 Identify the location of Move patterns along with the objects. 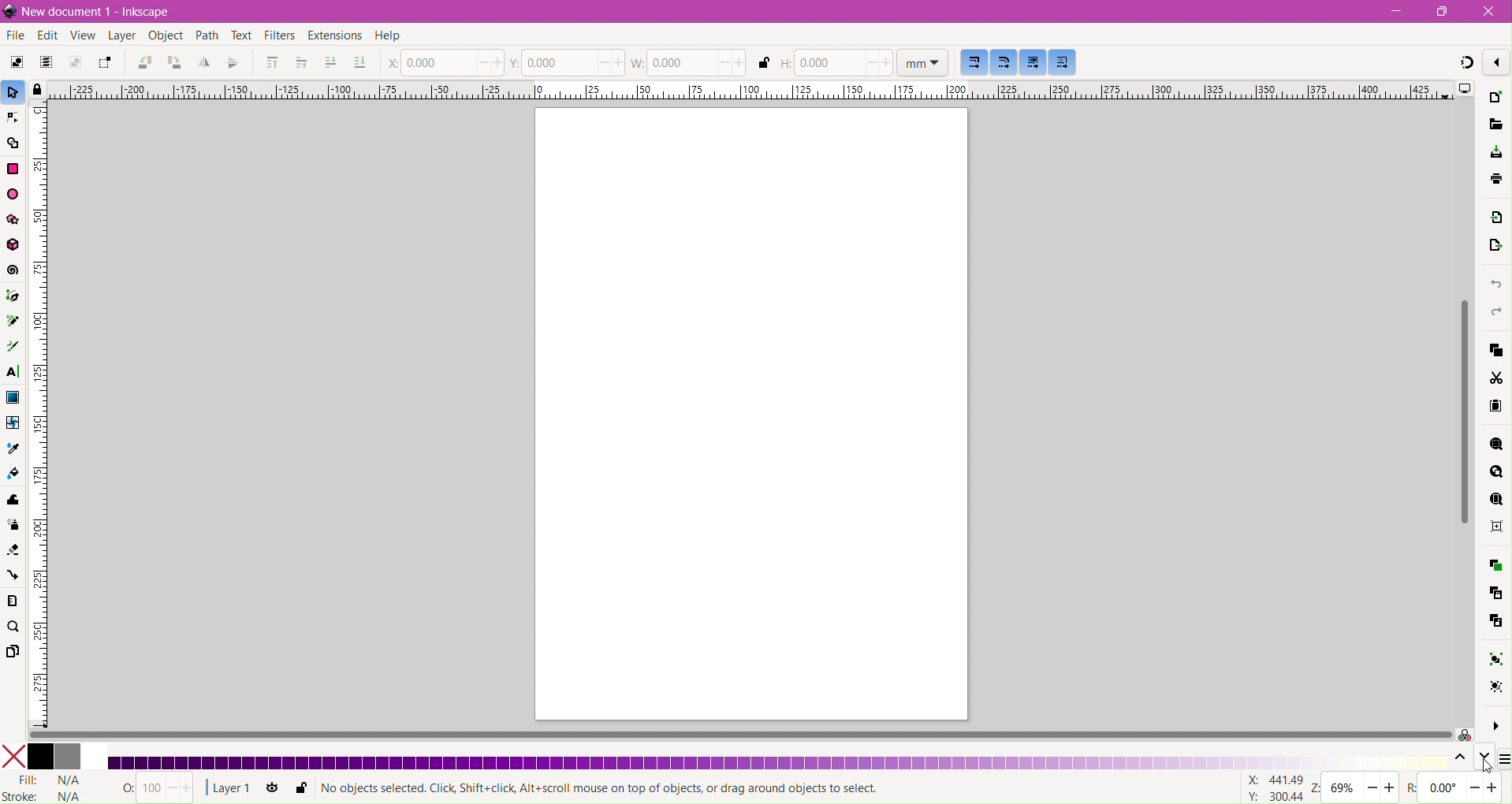
(1063, 63).